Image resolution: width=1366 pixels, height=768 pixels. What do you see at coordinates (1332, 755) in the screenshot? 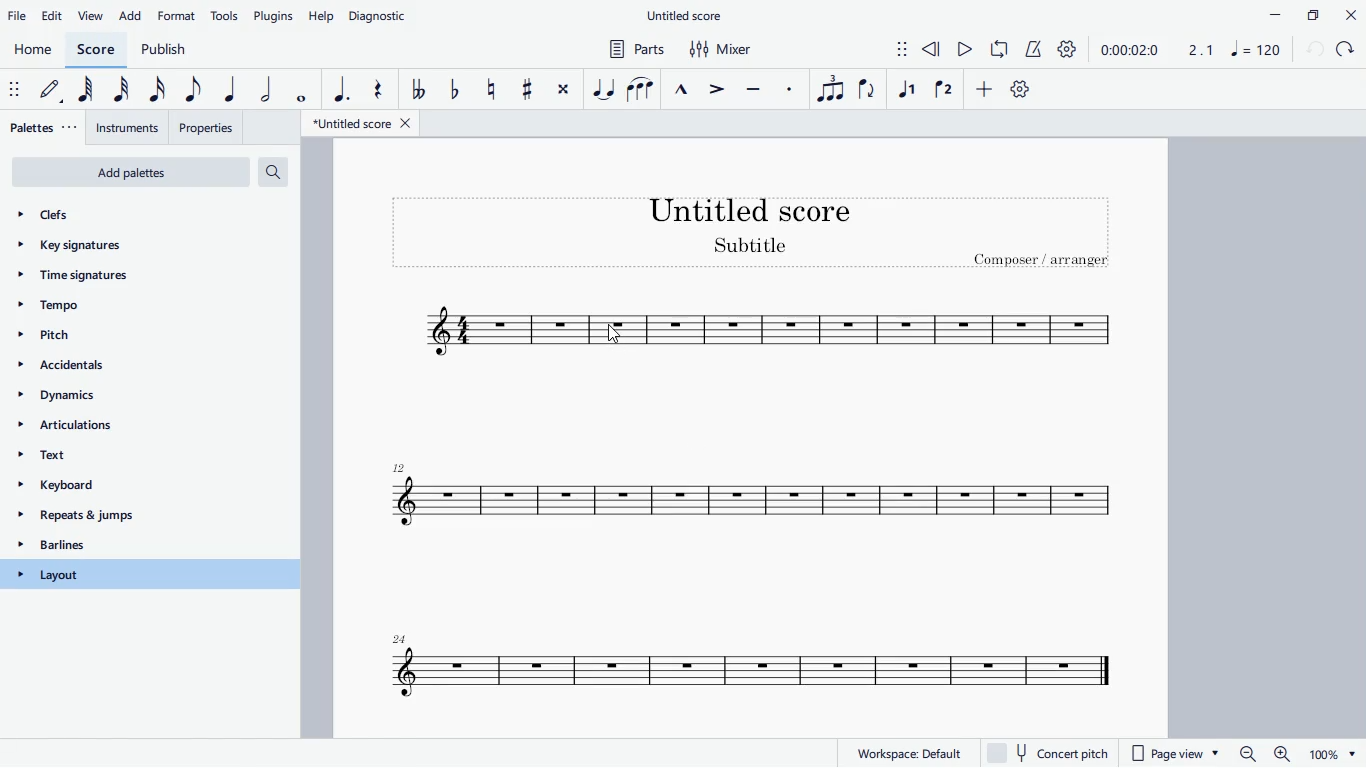
I see `page zoom level` at bounding box center [1332, 755].